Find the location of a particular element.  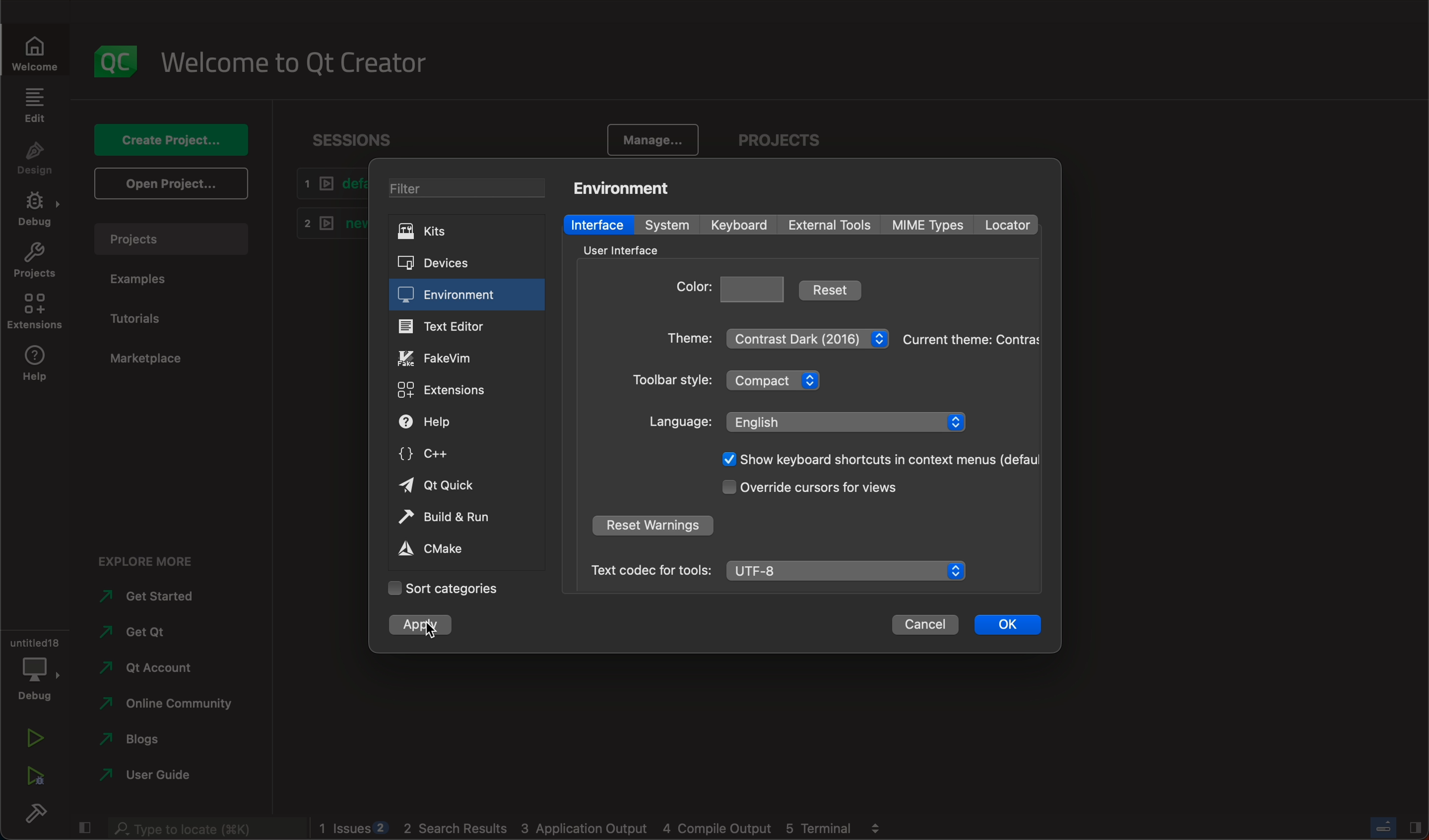

filter is located at coordinates (467, 190).